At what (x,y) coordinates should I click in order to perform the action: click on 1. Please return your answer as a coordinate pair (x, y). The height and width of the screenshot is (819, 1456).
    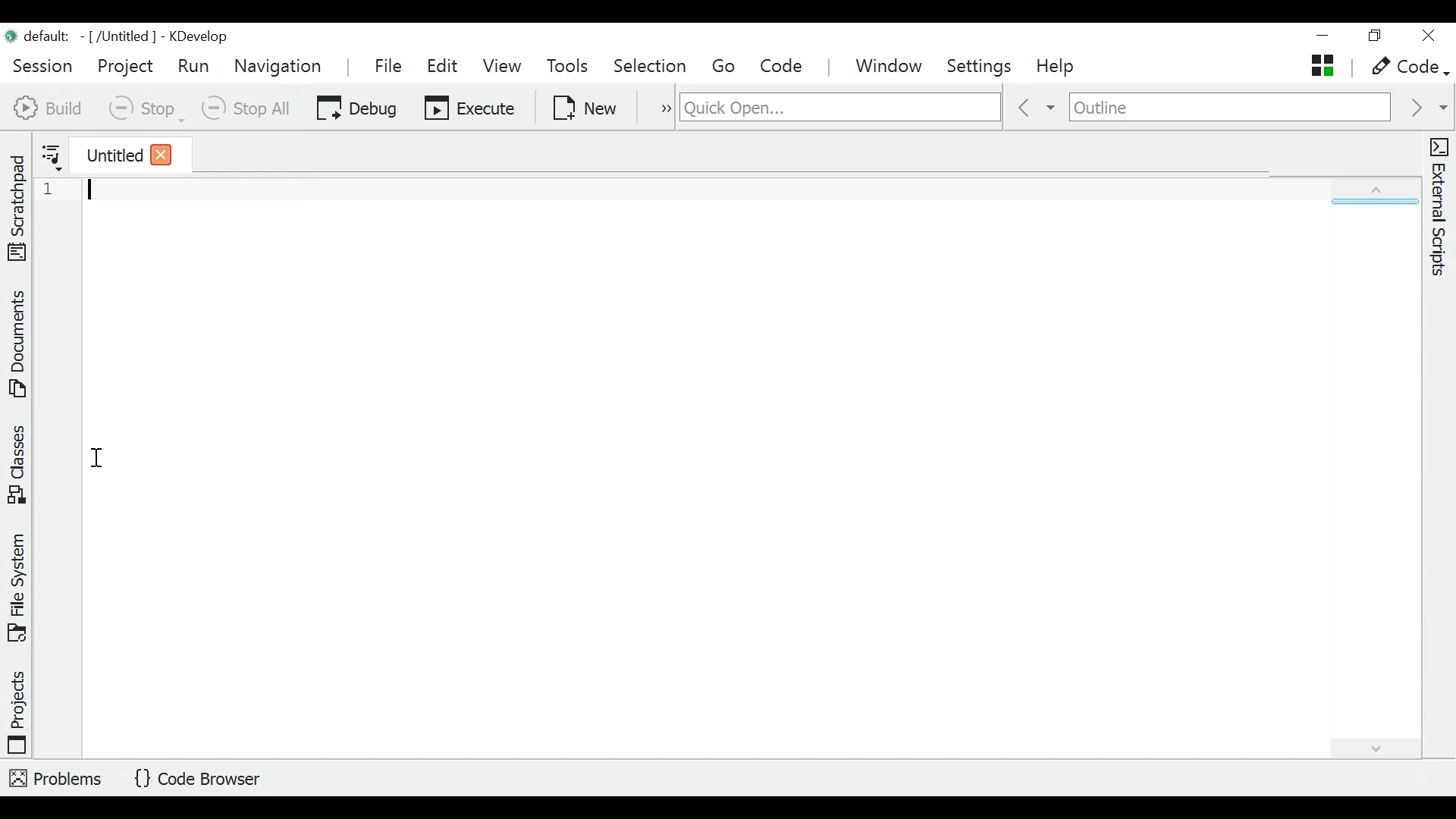
    Looking at the image, I should click on (55, 188).